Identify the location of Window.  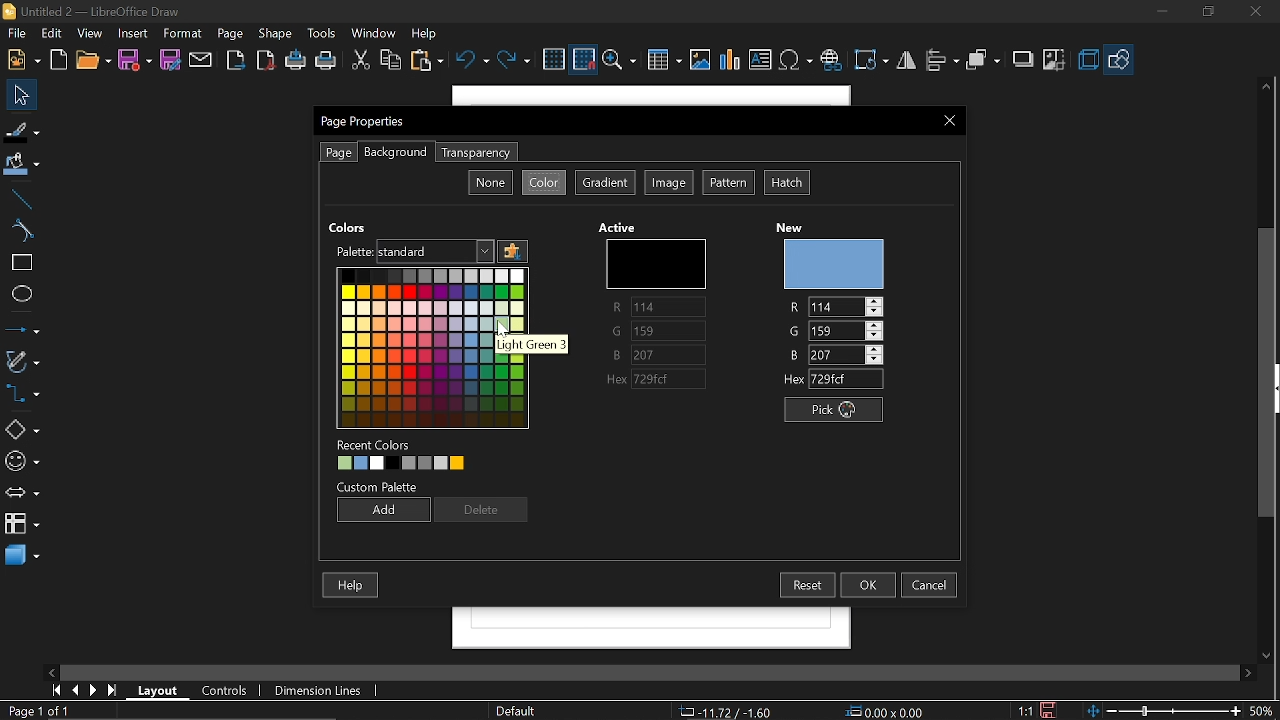
(374, 35).